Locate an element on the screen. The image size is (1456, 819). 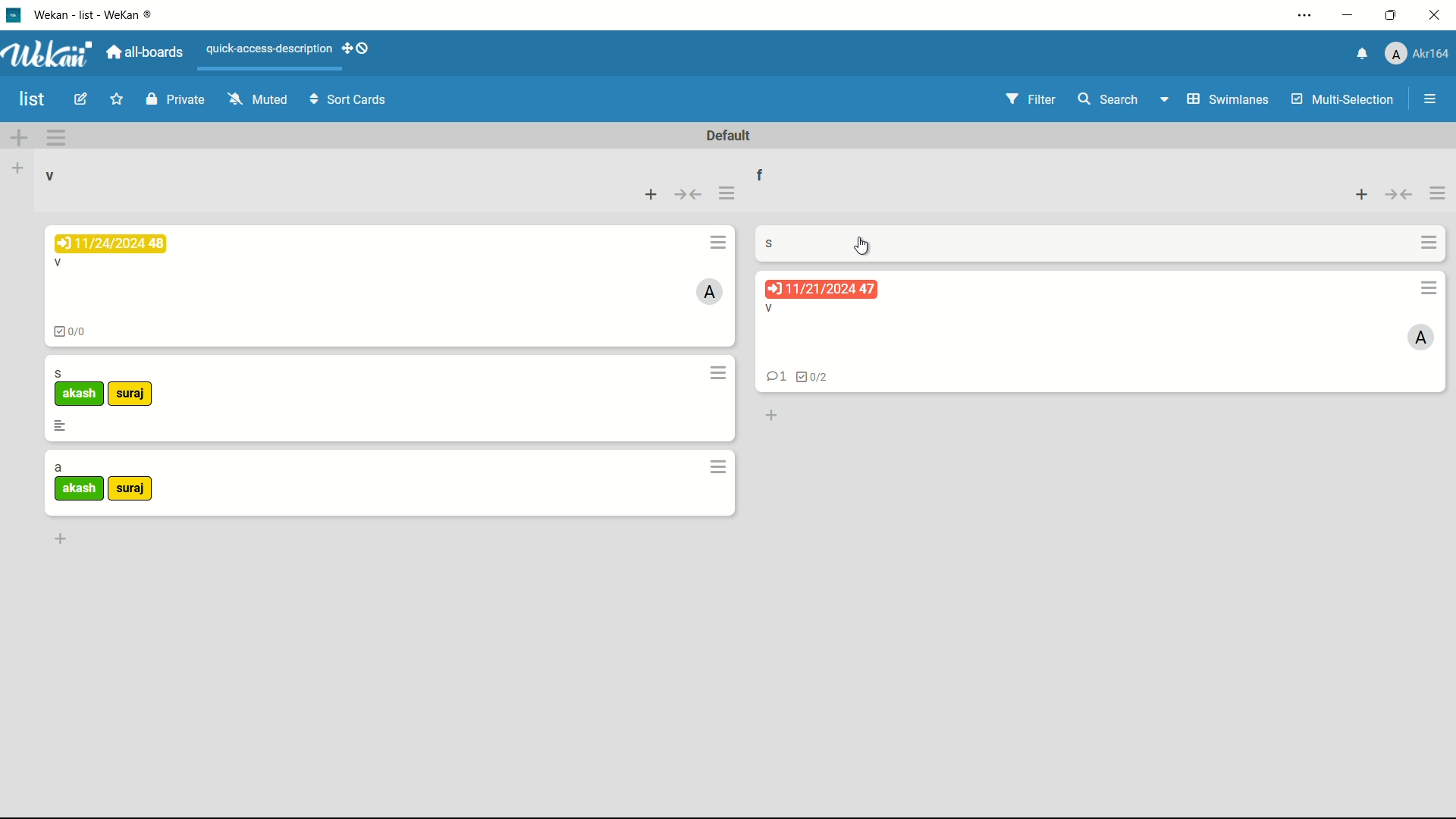
label-1 is located at coordinates (80, 394).